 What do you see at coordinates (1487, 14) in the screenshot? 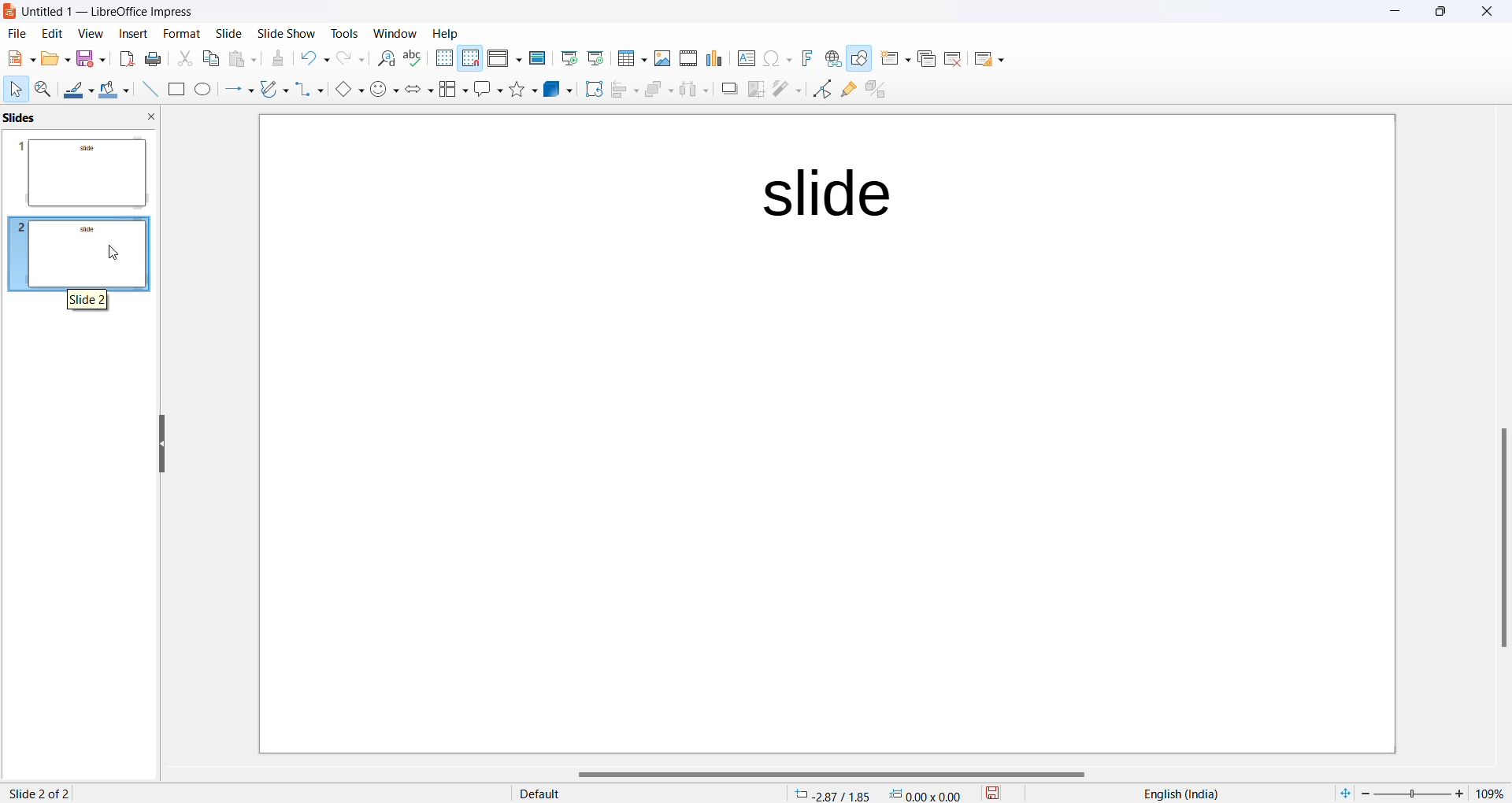
I see `close` at bounding box center [1487, 14].